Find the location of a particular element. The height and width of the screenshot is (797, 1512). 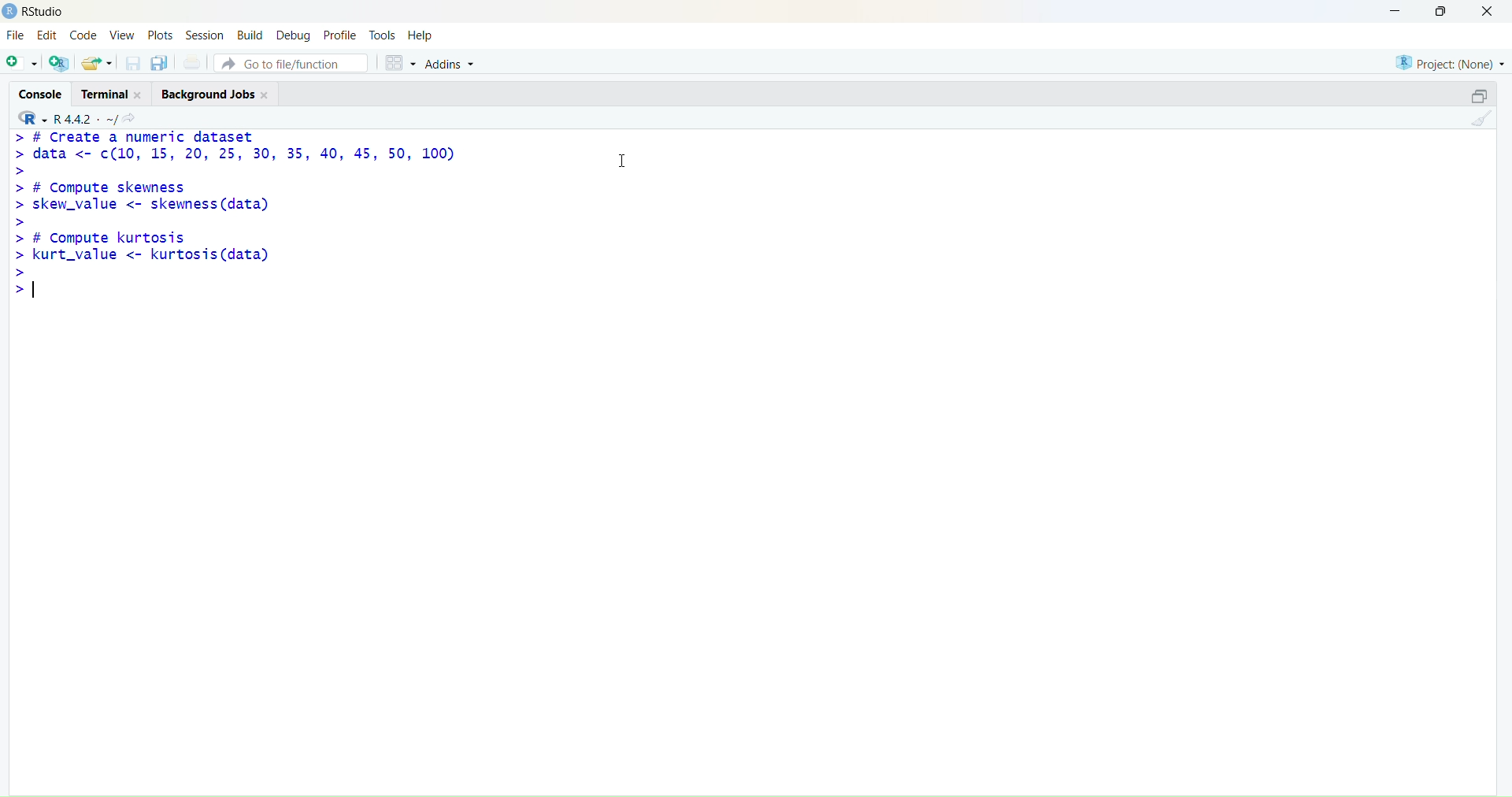

Restore is located at coordinates (1470, 98).